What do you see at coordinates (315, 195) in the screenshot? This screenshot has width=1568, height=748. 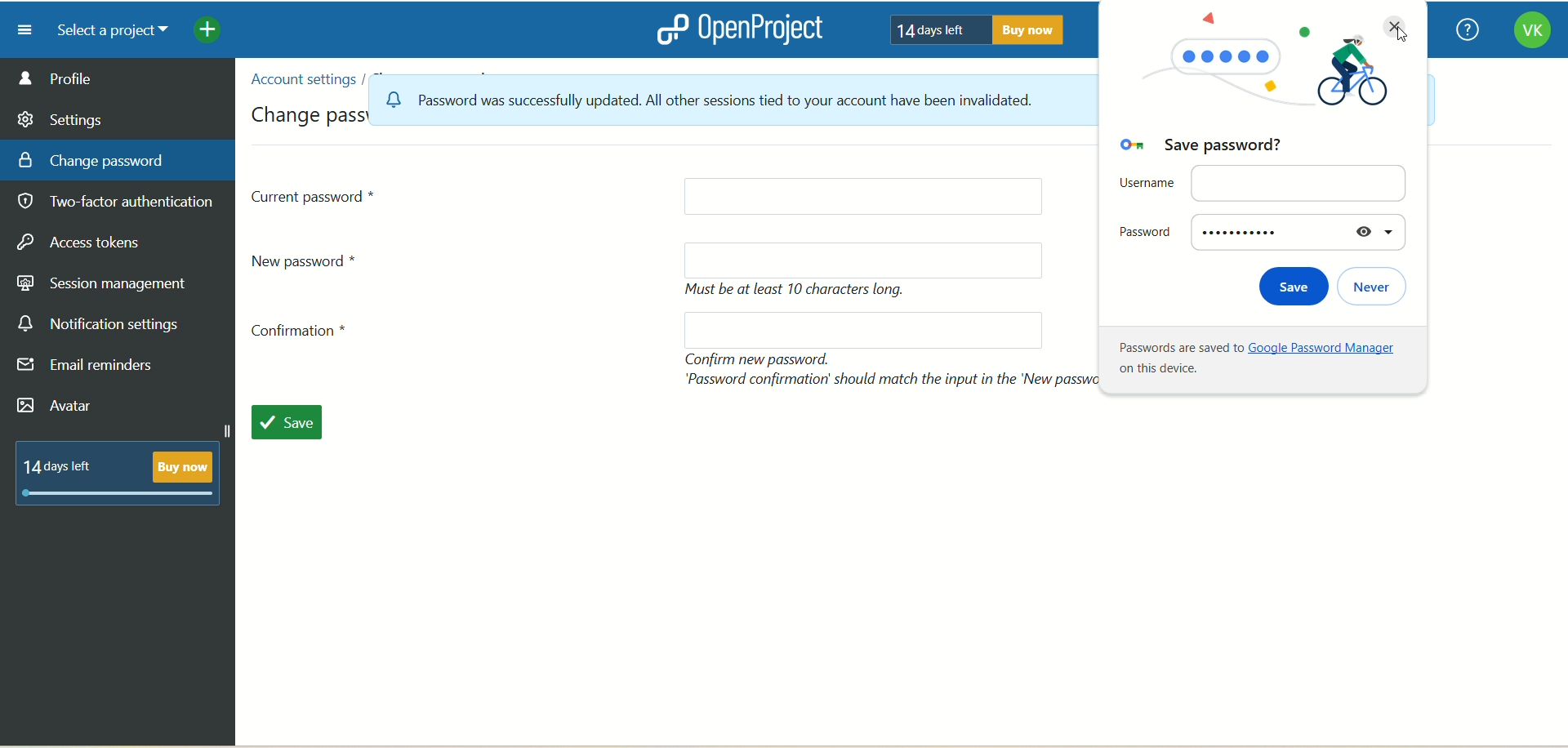 I see `current password` at bounding box center [315, 195].